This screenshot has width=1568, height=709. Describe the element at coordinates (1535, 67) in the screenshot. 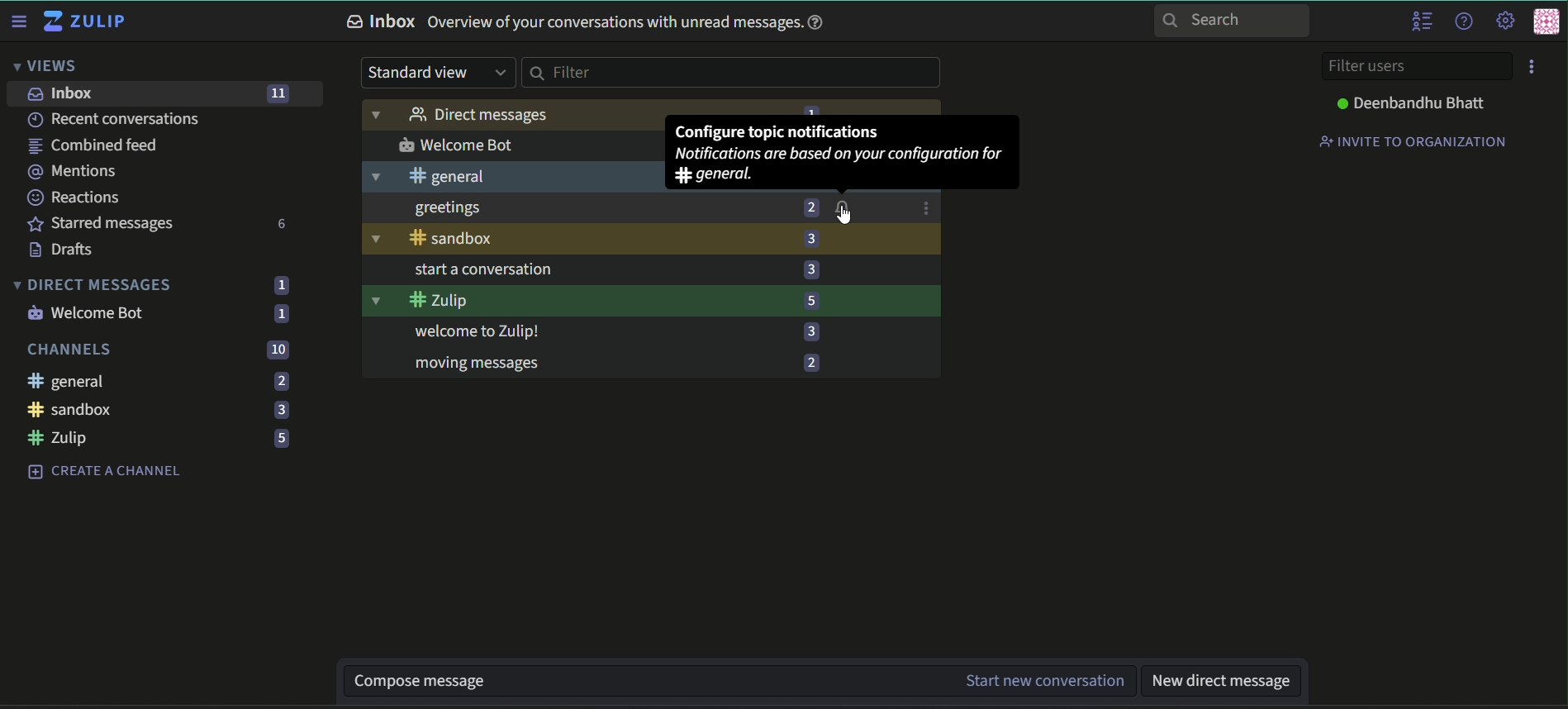

I see `menu` at that location.